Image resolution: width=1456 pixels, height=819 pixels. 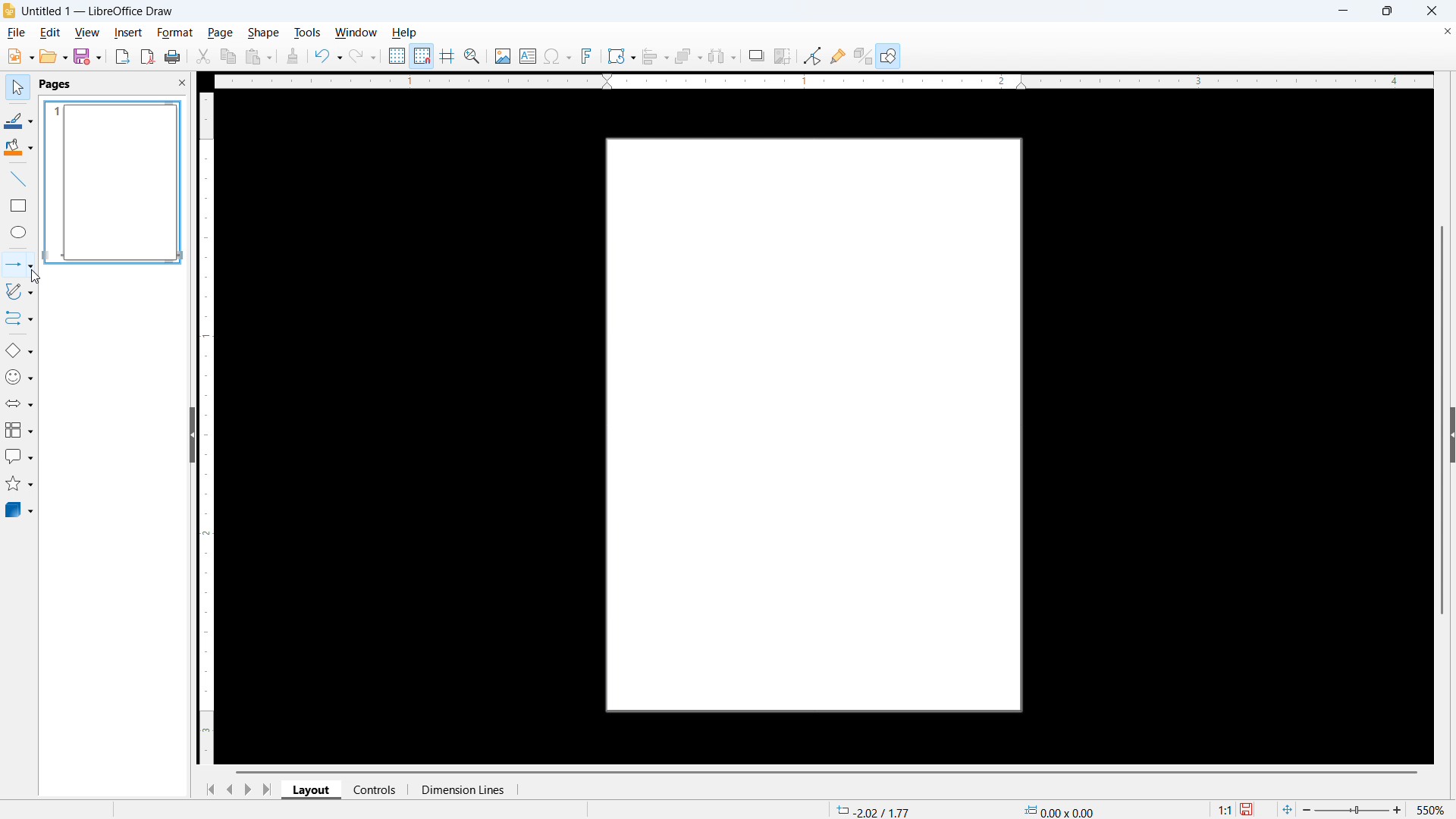 I want to click on Insert font work text , so click(x=587, y=55).